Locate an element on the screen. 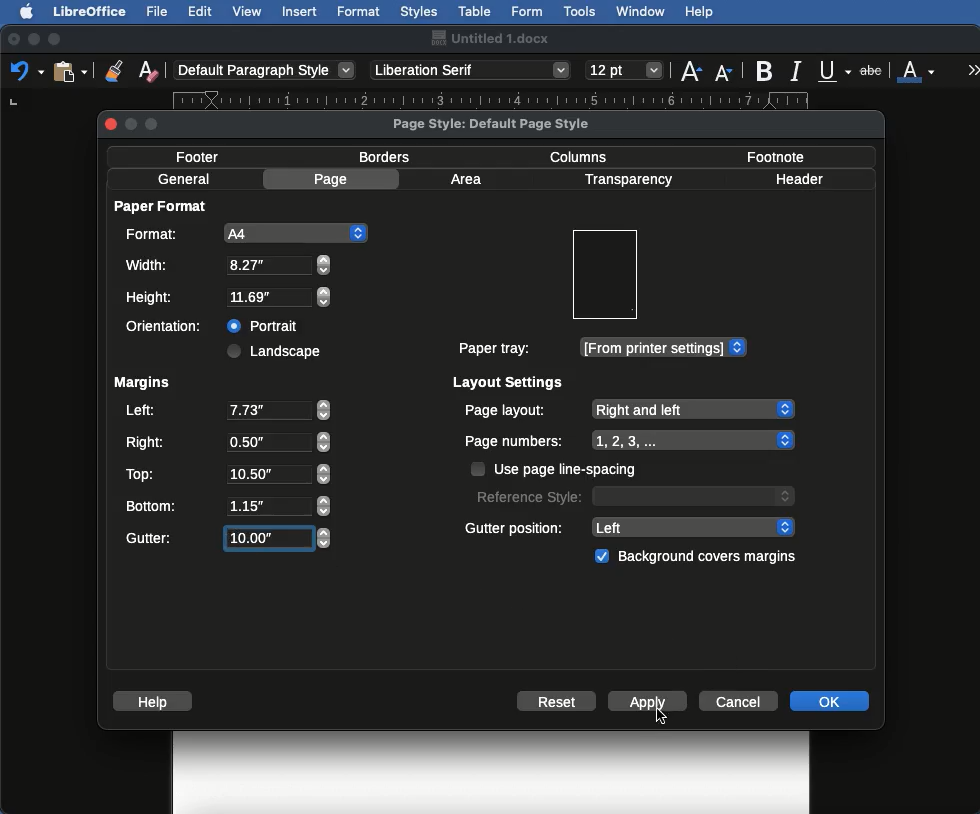 The height and width of the screenshot is (814, 980). Format is located at coordinates (360, 12).